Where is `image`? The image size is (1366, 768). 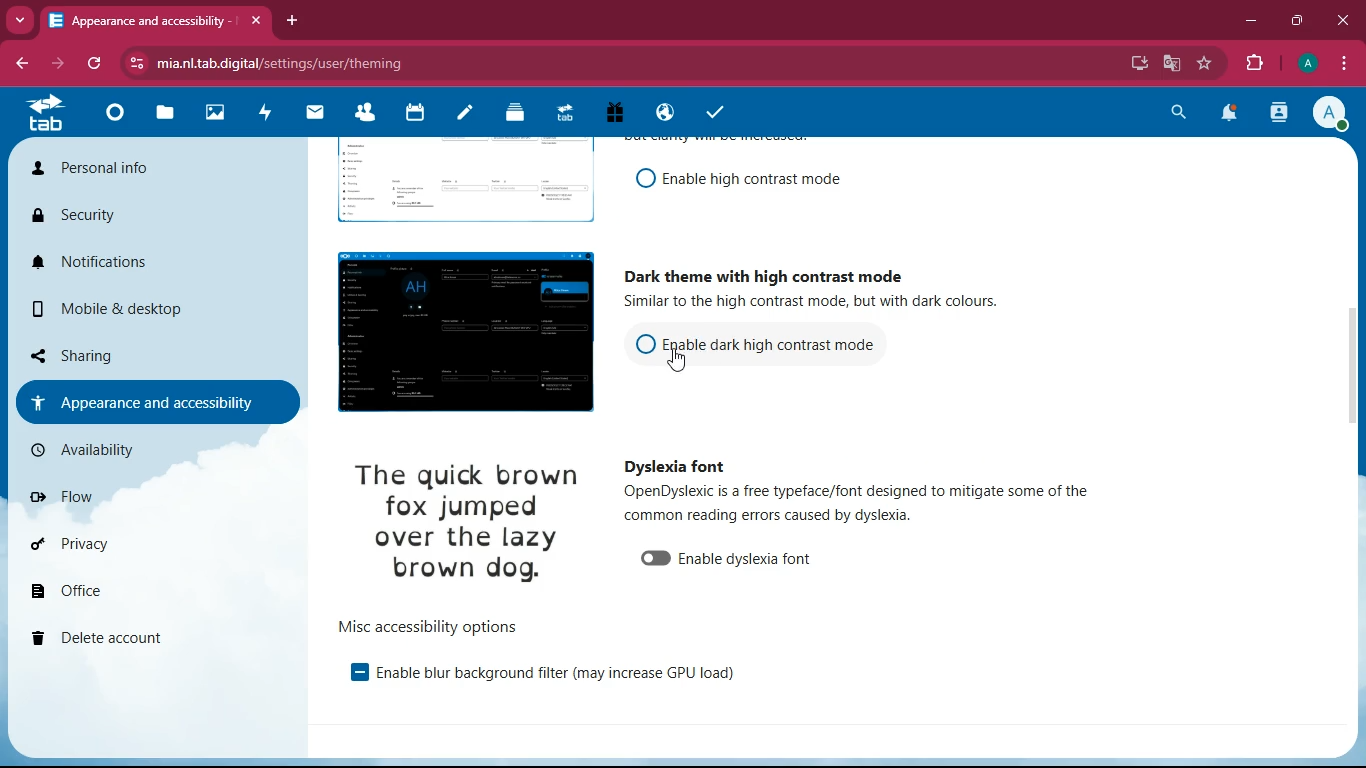 image is located at coordinates (458, 333).